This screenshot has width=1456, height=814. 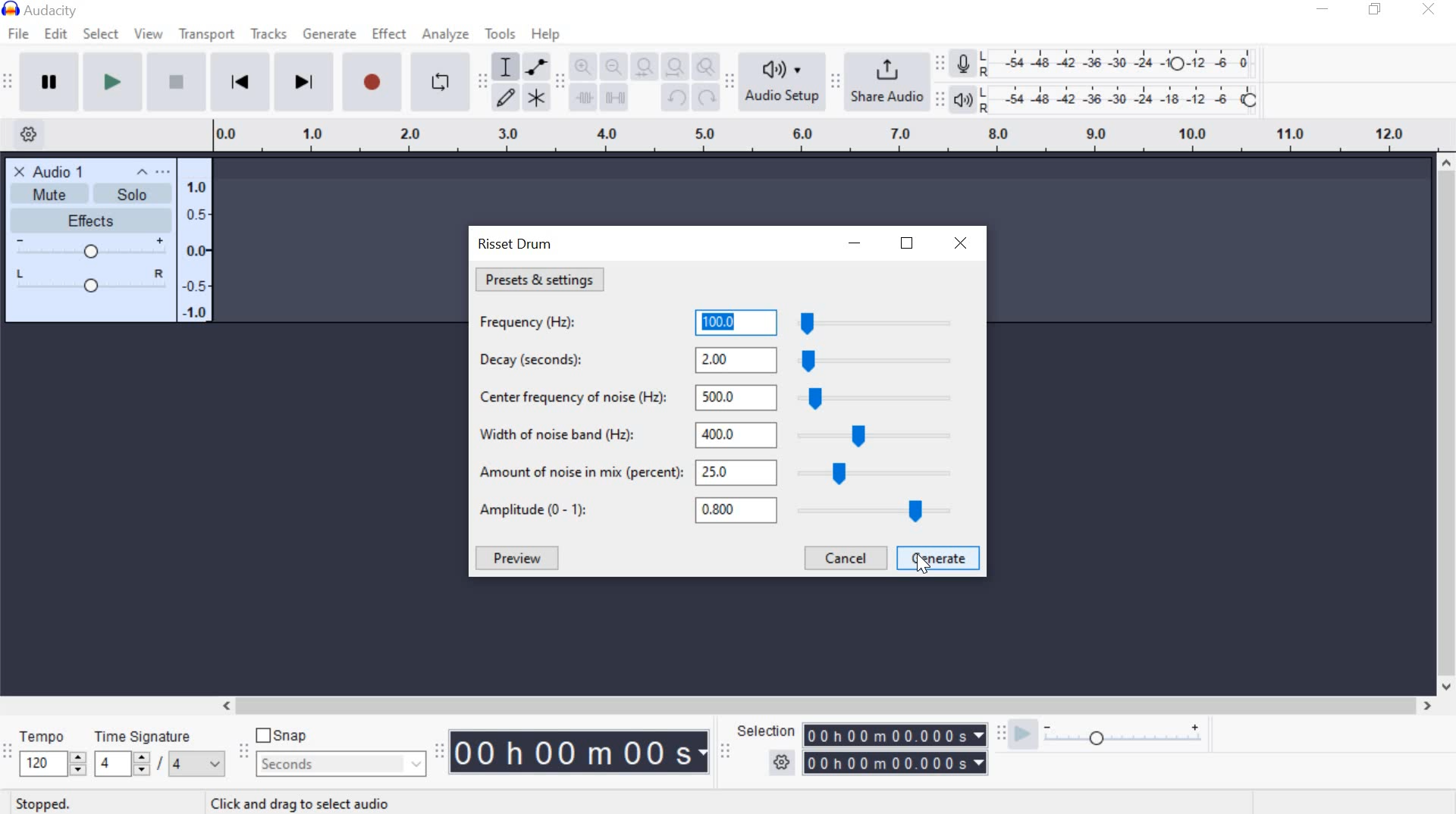 What do you see at coordinates (300, 803) in the screenshot?
I see `Click and drag to select audio` at bounding box center [300, 803].